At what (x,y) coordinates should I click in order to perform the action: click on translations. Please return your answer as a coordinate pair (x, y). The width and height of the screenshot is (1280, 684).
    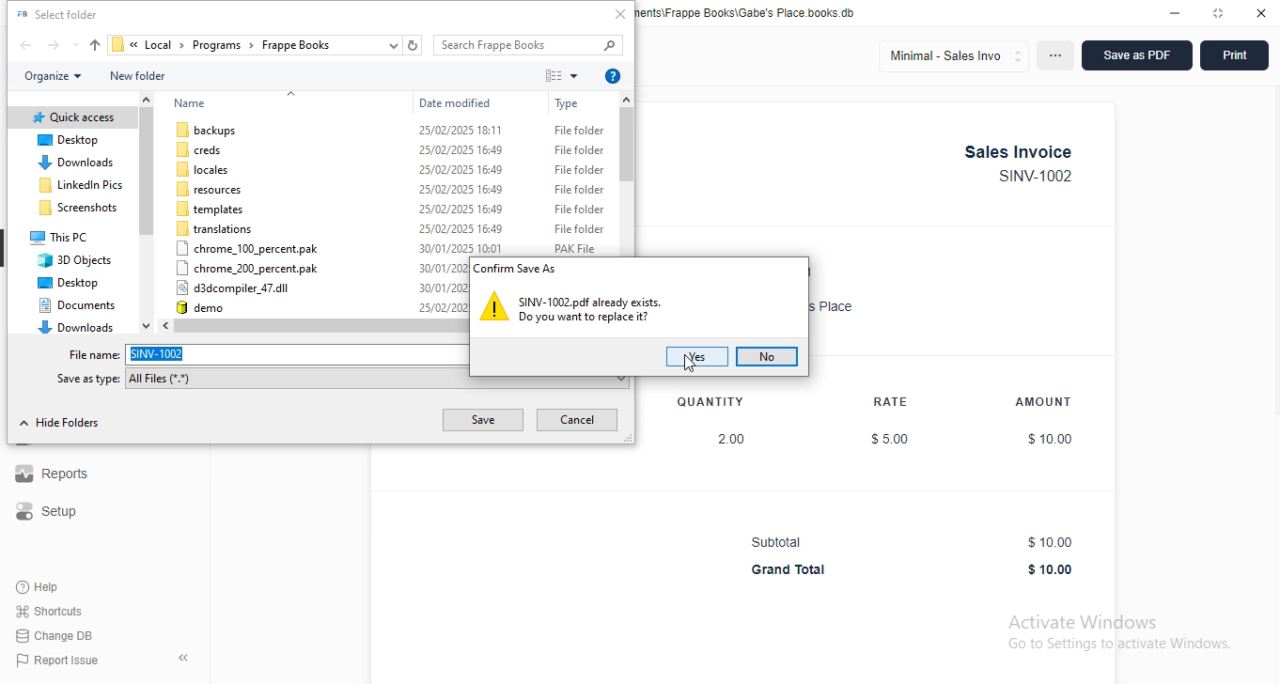
    Looking at the image, I should click on (213, 229).